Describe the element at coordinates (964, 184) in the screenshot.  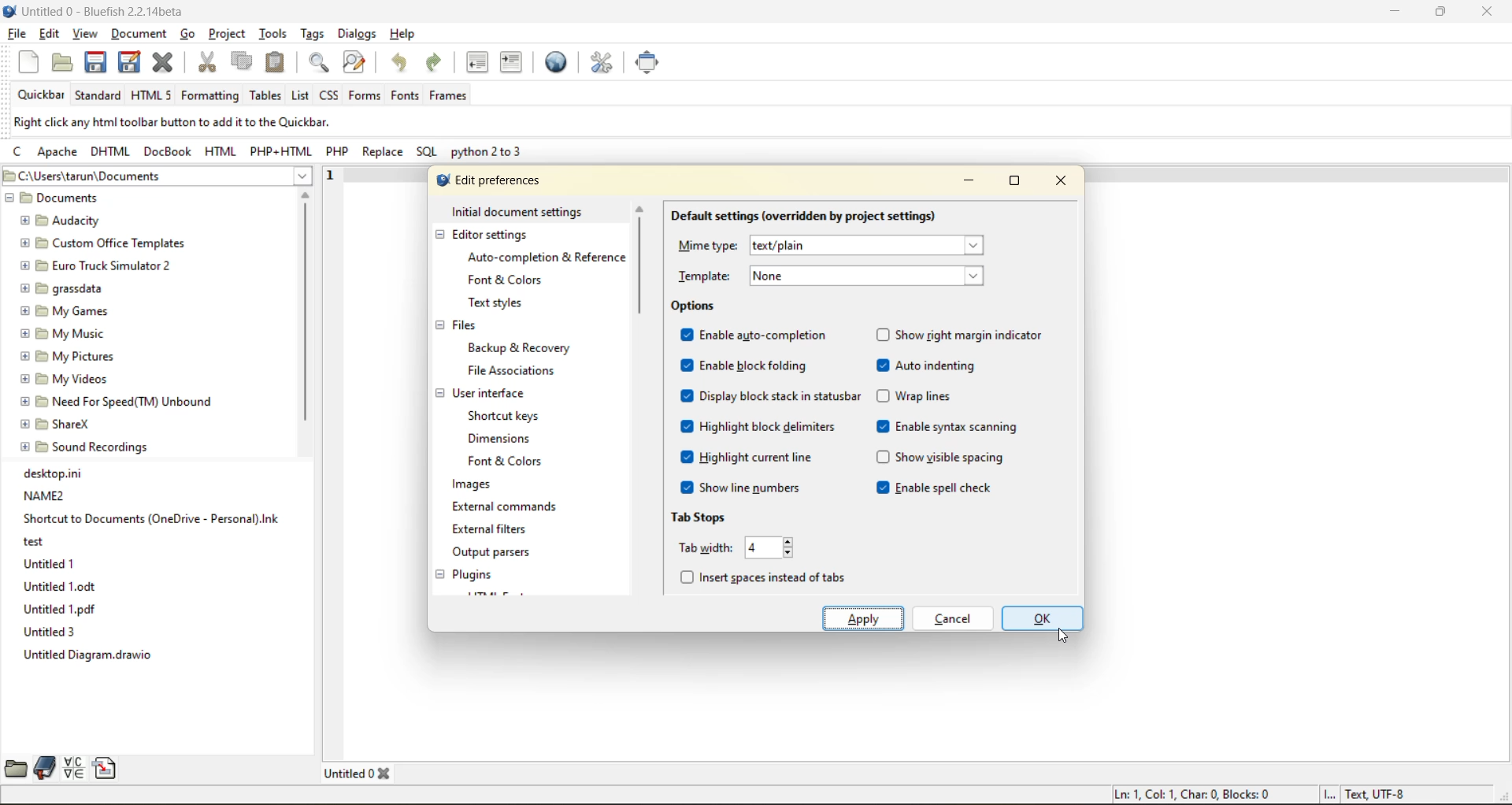
I see `minimize` at that location.